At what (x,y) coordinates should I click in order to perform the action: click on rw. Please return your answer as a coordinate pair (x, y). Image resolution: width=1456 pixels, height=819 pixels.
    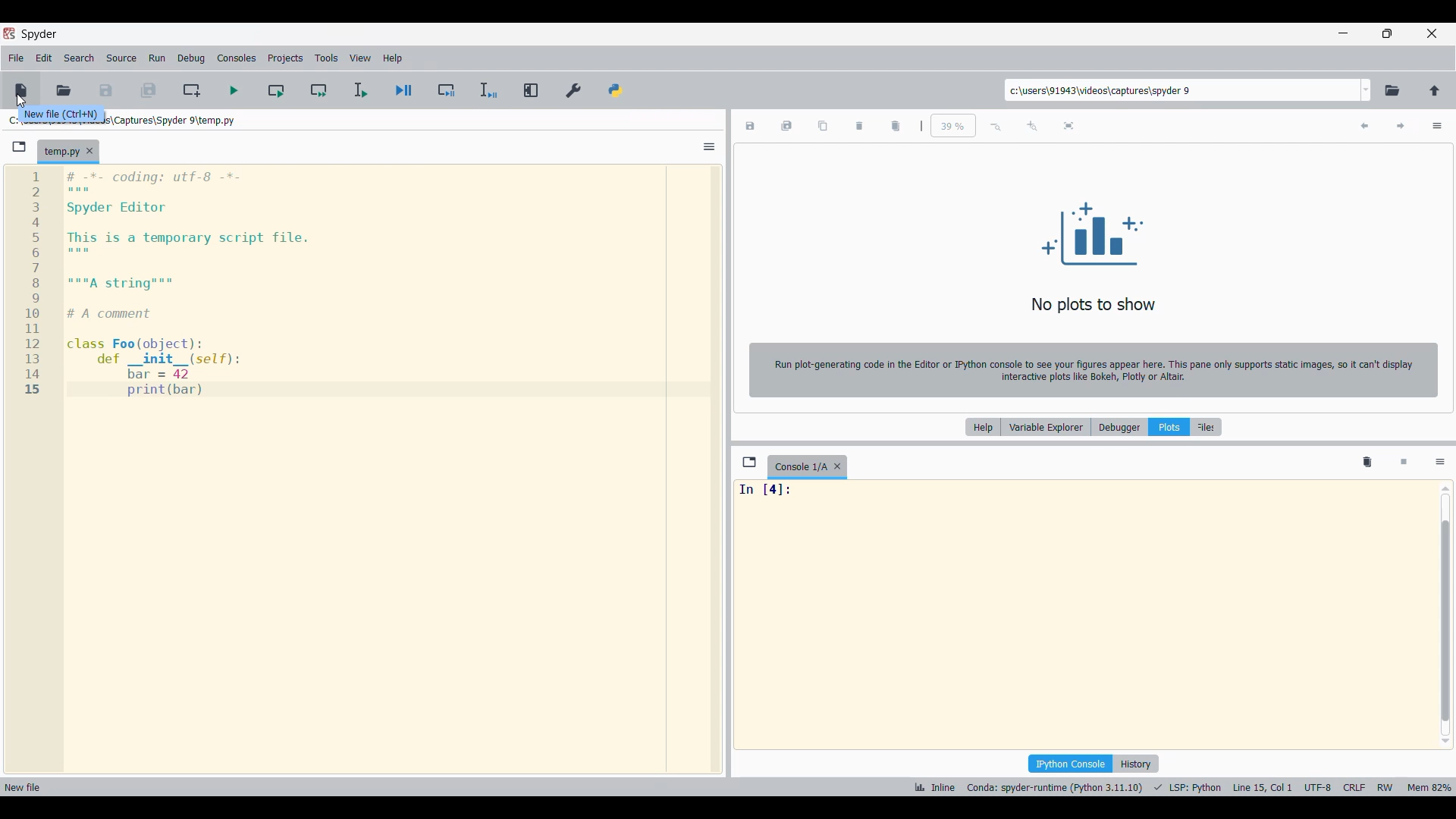
    Looking at the image, I should click on (1388, 786).